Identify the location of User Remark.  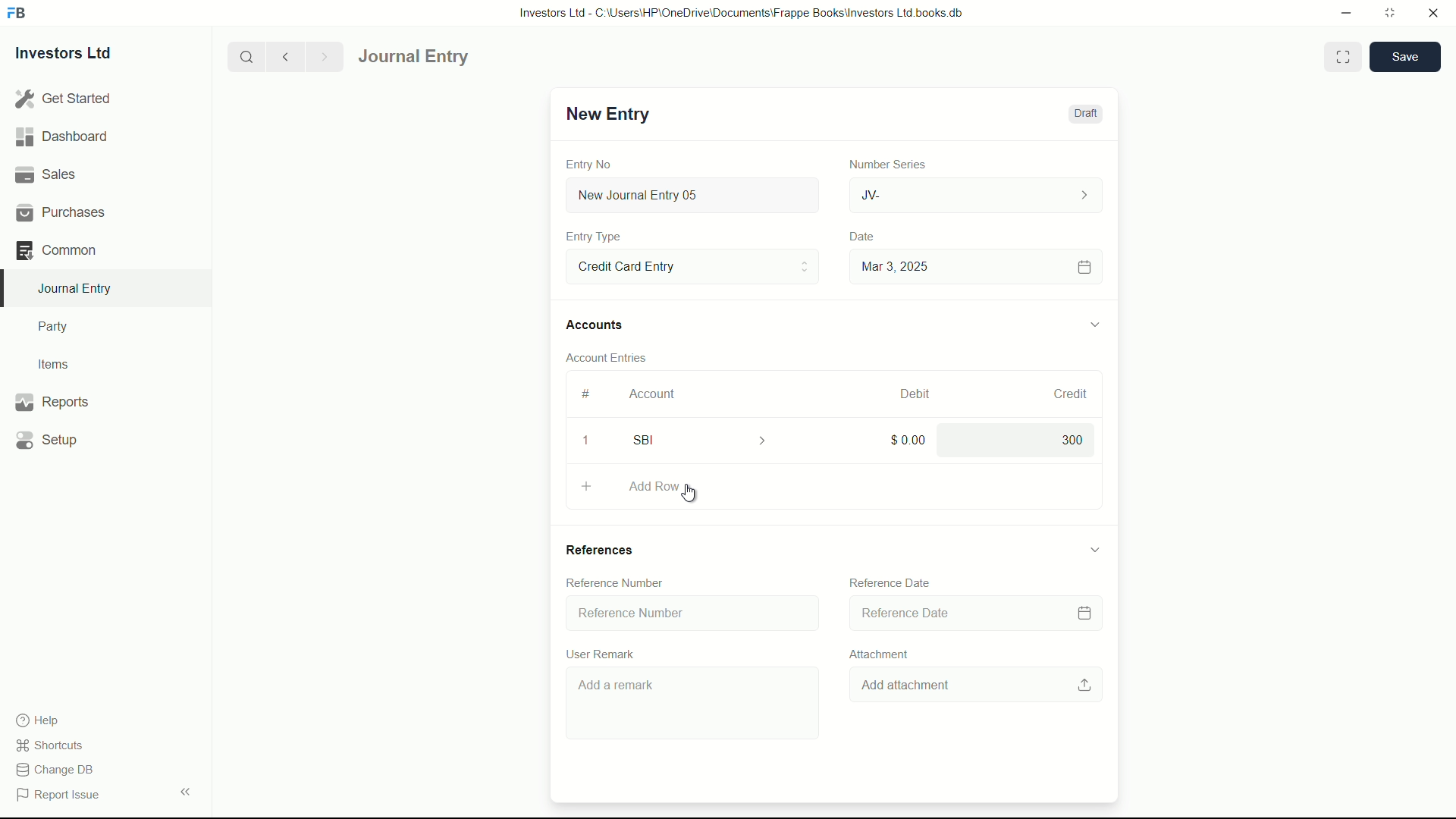
(604, 651).